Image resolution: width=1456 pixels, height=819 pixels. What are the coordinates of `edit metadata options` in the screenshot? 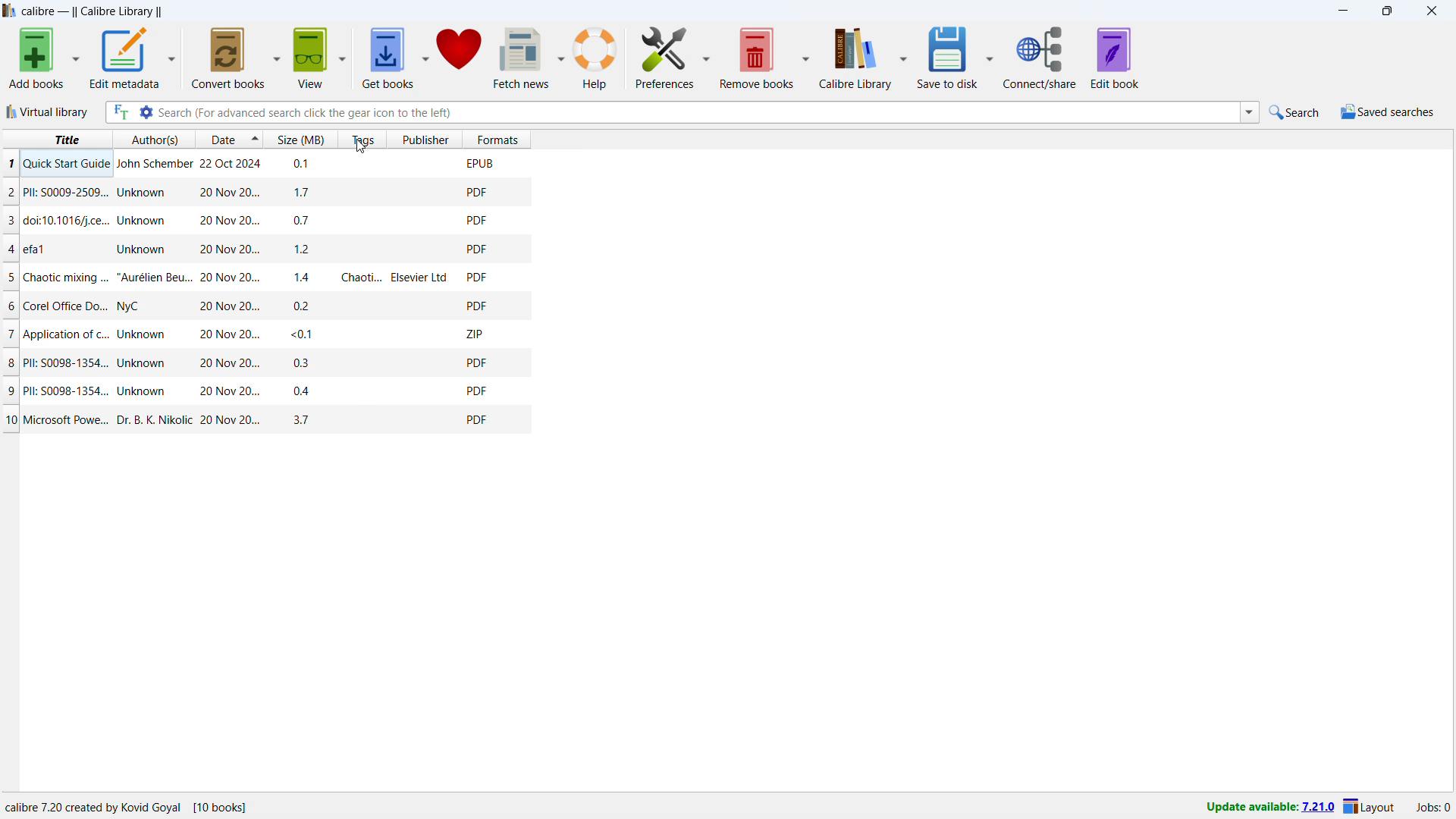 It's located at (171, 56).